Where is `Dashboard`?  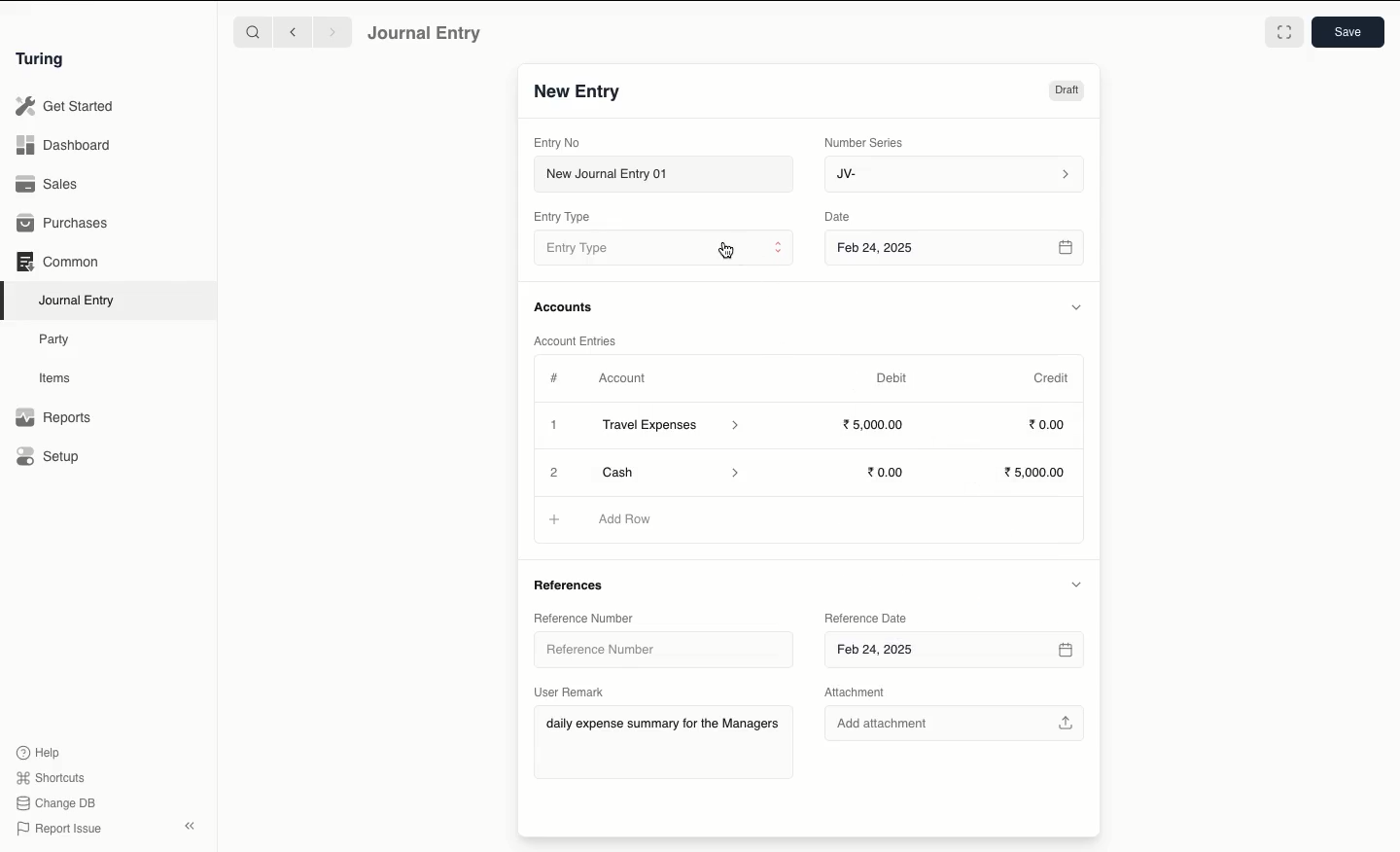 Dashboard is located at coordinates (63, 146).